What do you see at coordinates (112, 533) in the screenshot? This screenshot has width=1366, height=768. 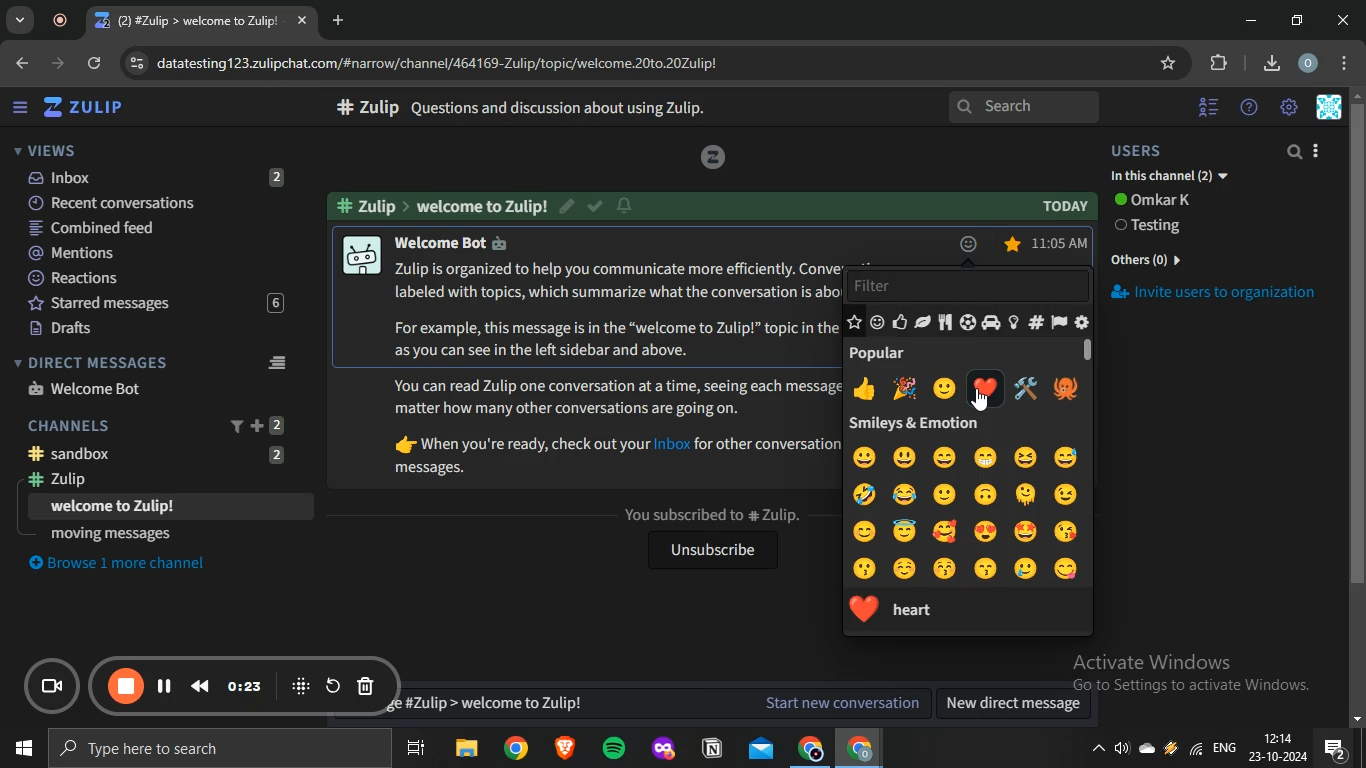 I see `moving messages` at bounding box center [112, 533].